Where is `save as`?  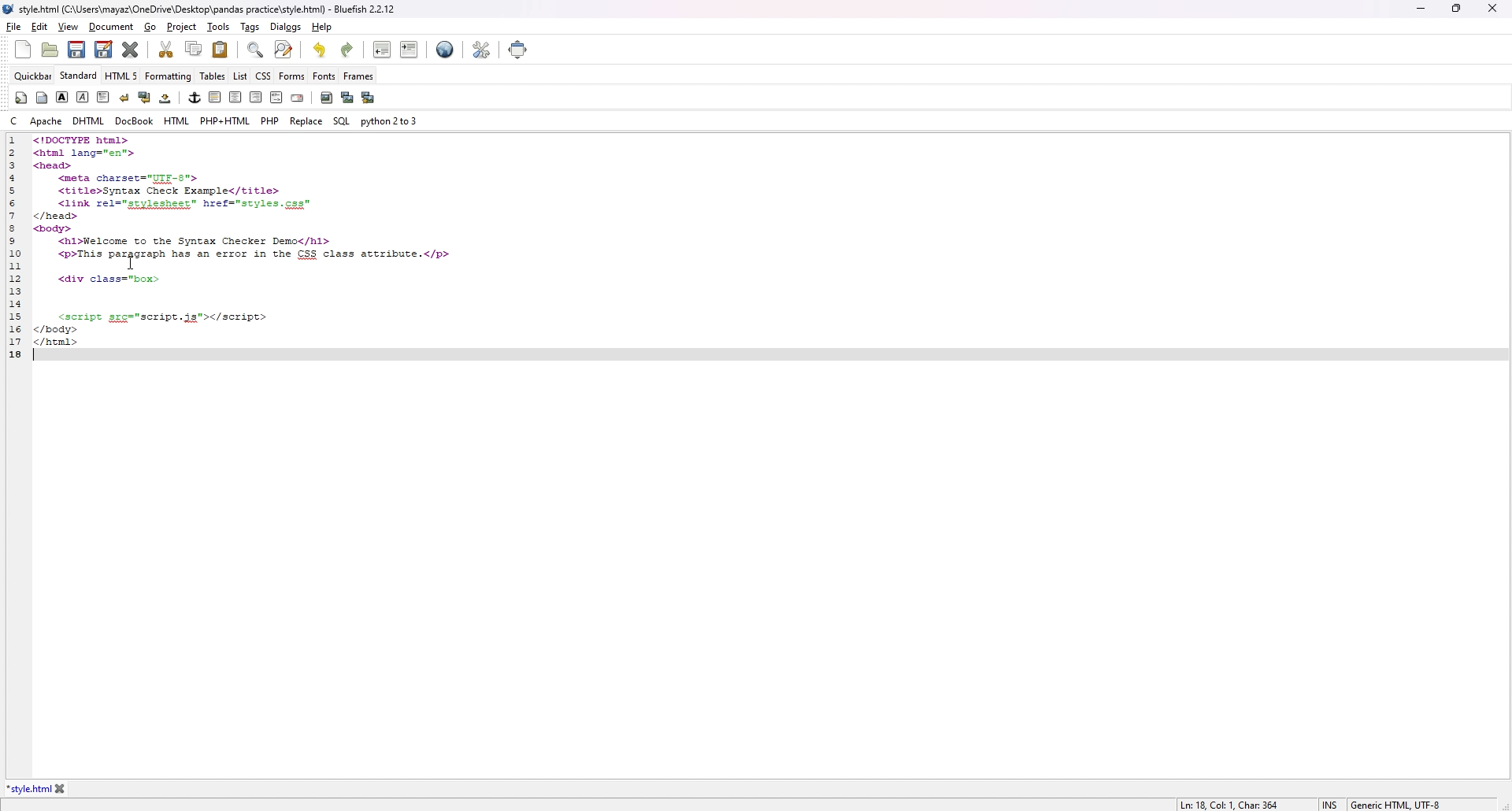 save as is located at coordinates (104, 49).